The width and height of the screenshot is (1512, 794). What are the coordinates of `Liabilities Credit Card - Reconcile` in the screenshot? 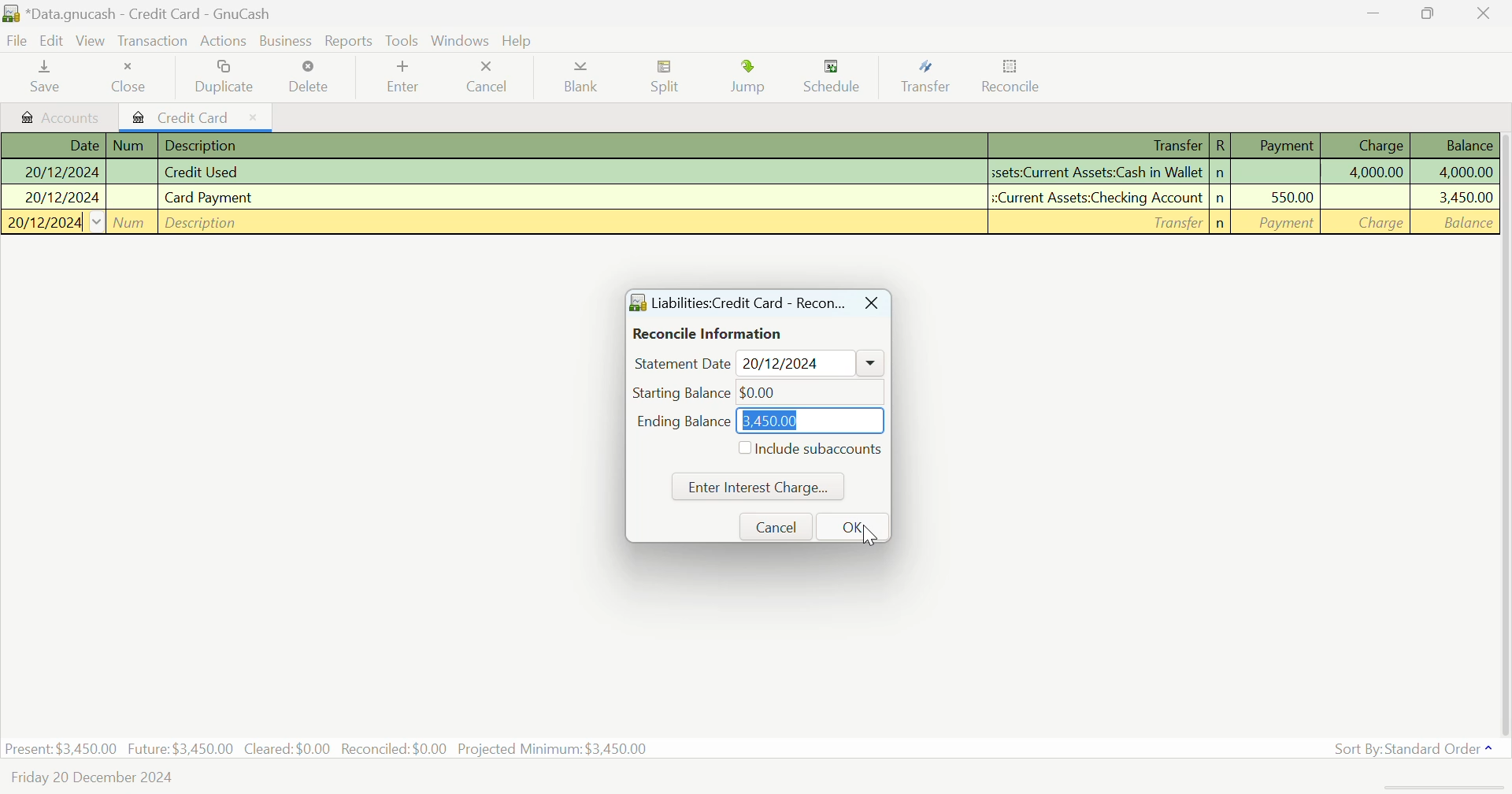 It's located at (738, 302).